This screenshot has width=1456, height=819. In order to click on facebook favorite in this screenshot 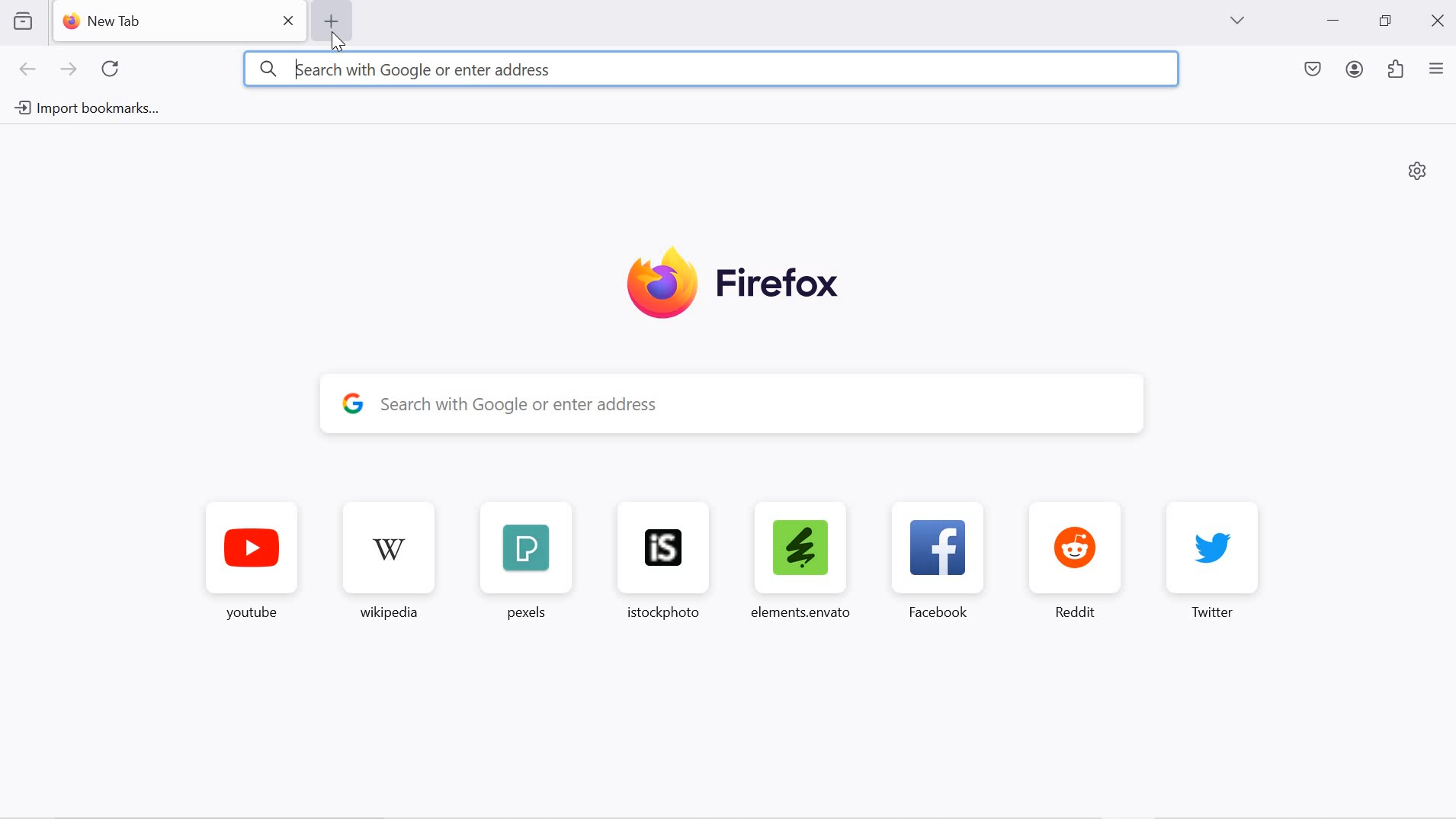, I will do `click(943, 560)`.